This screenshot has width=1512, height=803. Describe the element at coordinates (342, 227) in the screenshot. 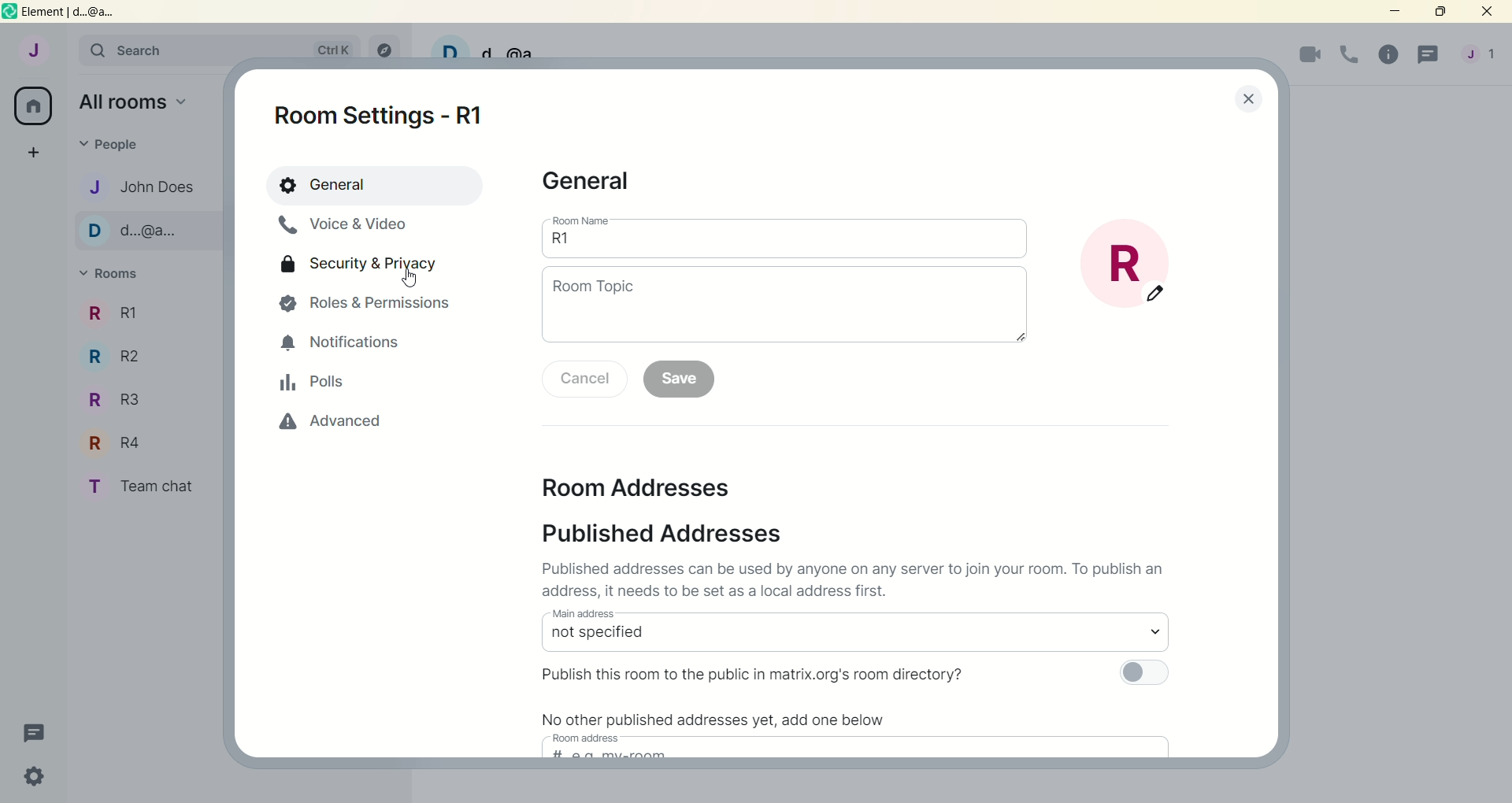

I see `voice and video call` at that location.